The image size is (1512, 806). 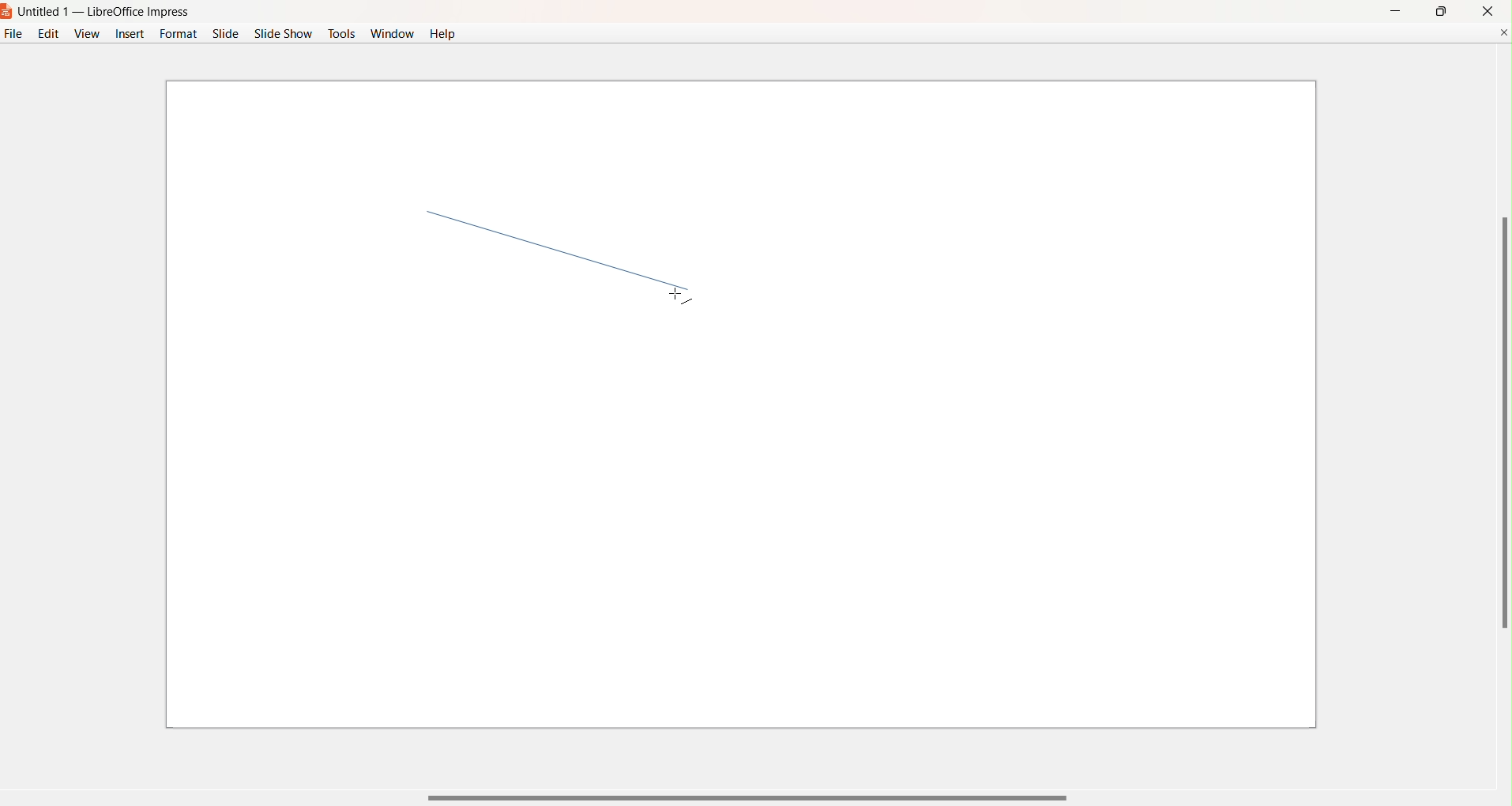 What do you see at coordinates (127, 36) in the screenshot?
I see `Insert` at bounding box center [127, 36].